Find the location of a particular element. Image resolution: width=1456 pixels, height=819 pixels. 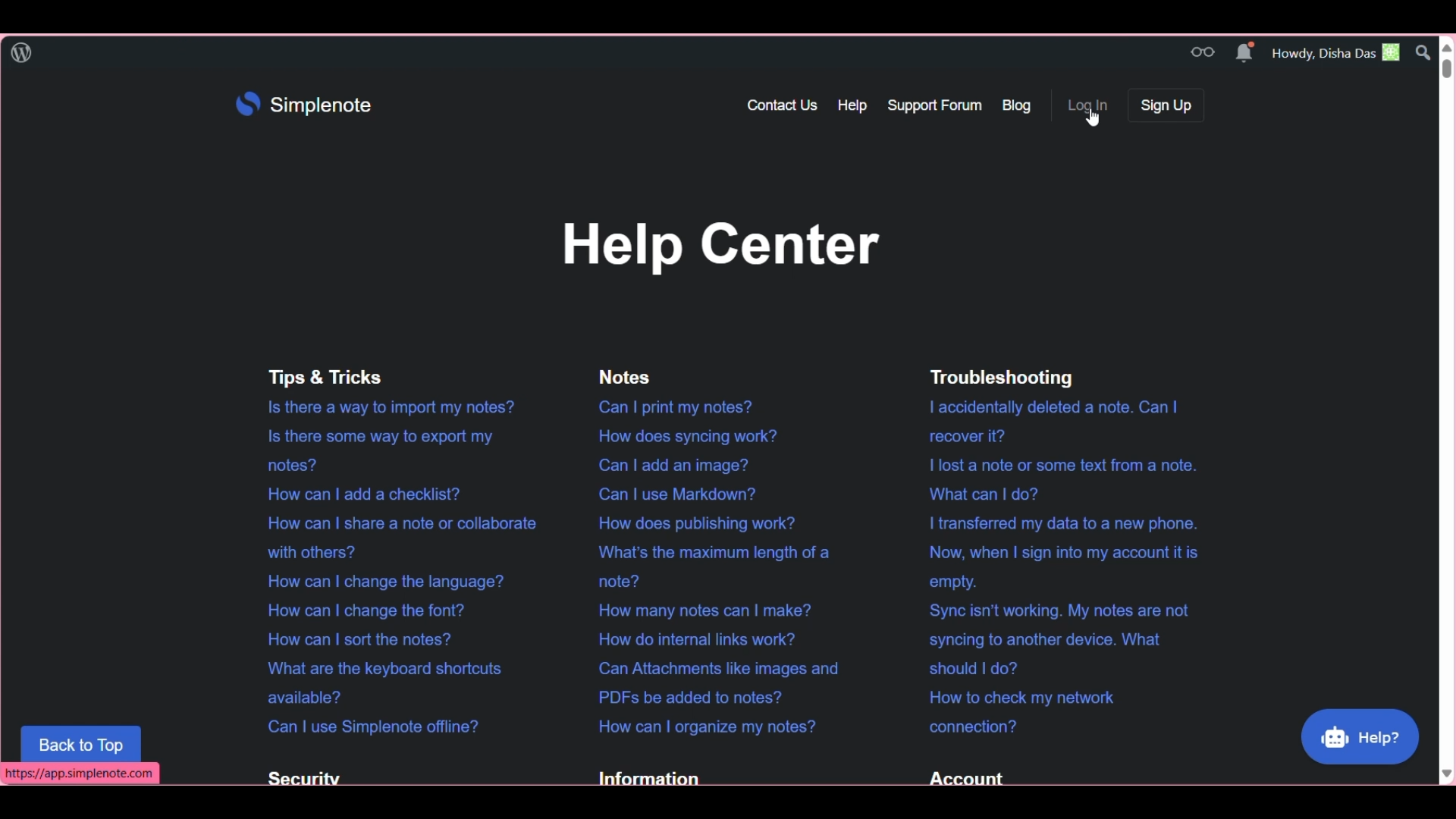

Quick slide to bottom is located at coordinates (1447, 773).